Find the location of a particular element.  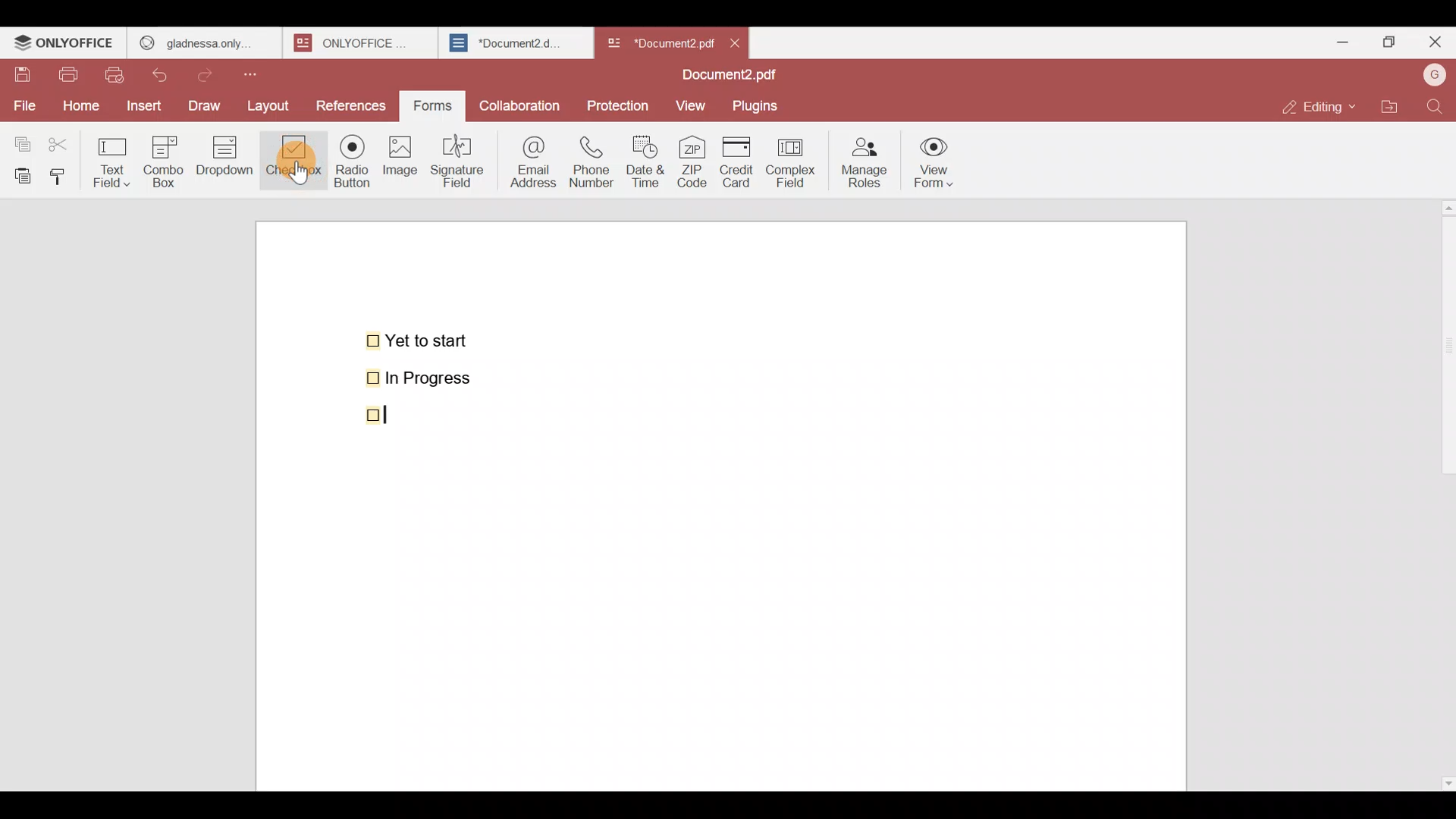

Scroll bar is located at coordinates (1443, 491).